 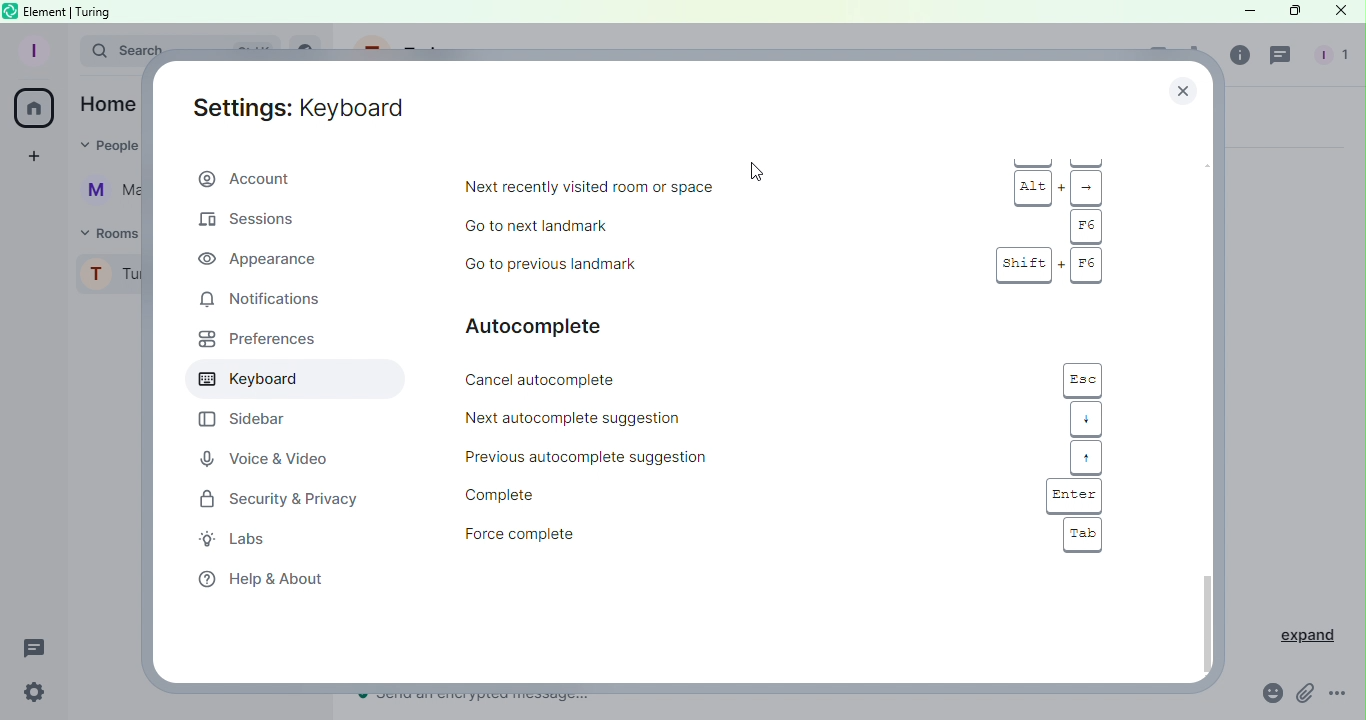 I want to click on Go to next landmark, so click(x=662, y=226).